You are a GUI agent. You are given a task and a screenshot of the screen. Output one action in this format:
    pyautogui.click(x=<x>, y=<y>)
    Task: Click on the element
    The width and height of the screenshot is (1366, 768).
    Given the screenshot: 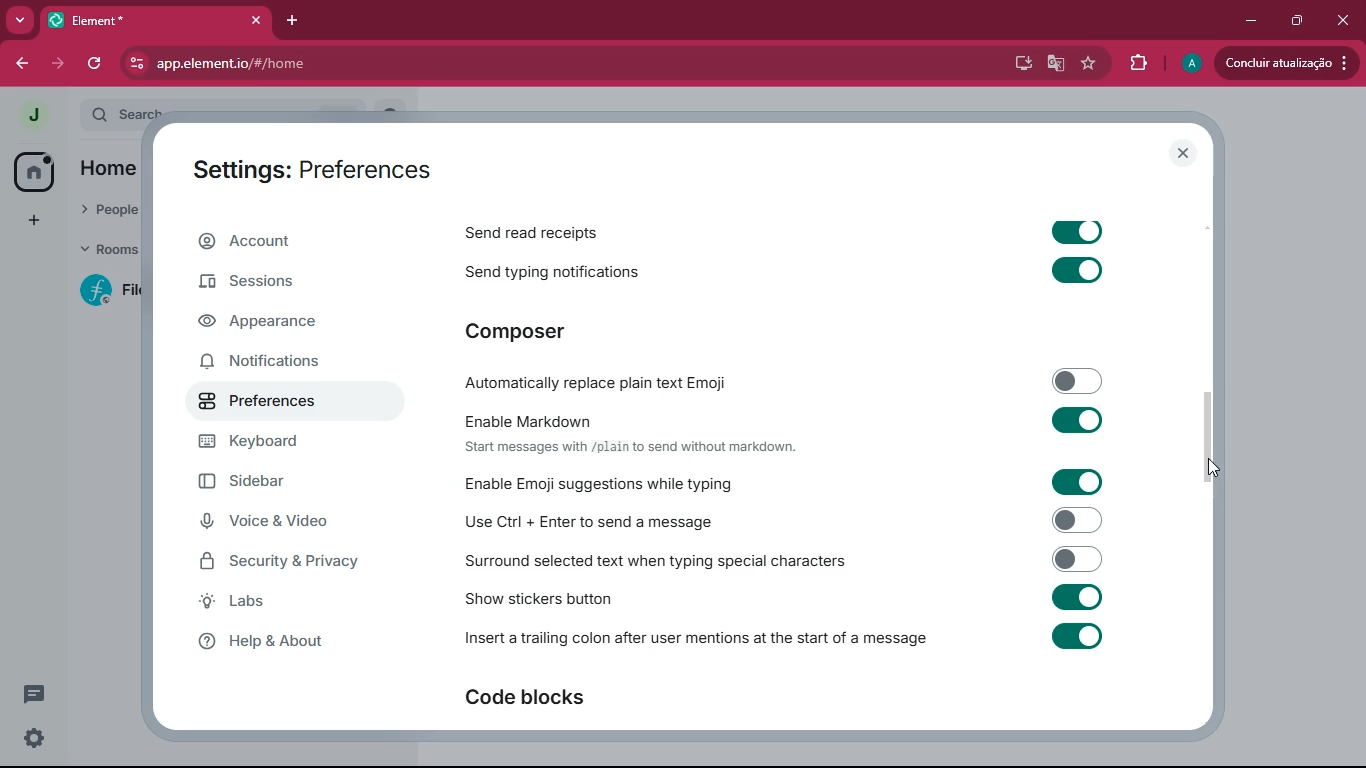 What is the action you would take?
    pyautogui.click(x=159, y=19)
    